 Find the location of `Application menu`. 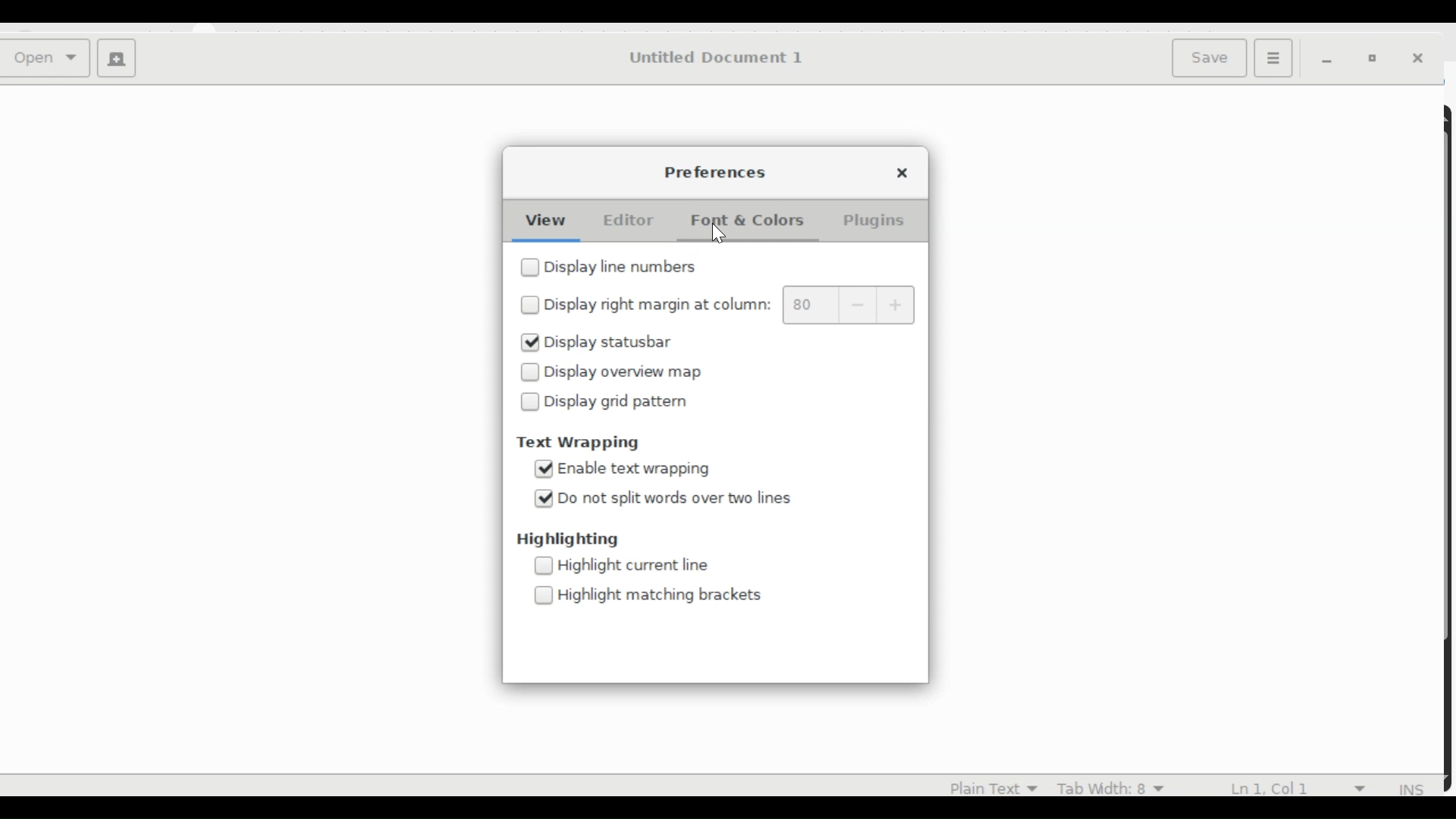

Application menu is located at coordinates (1272, 57).